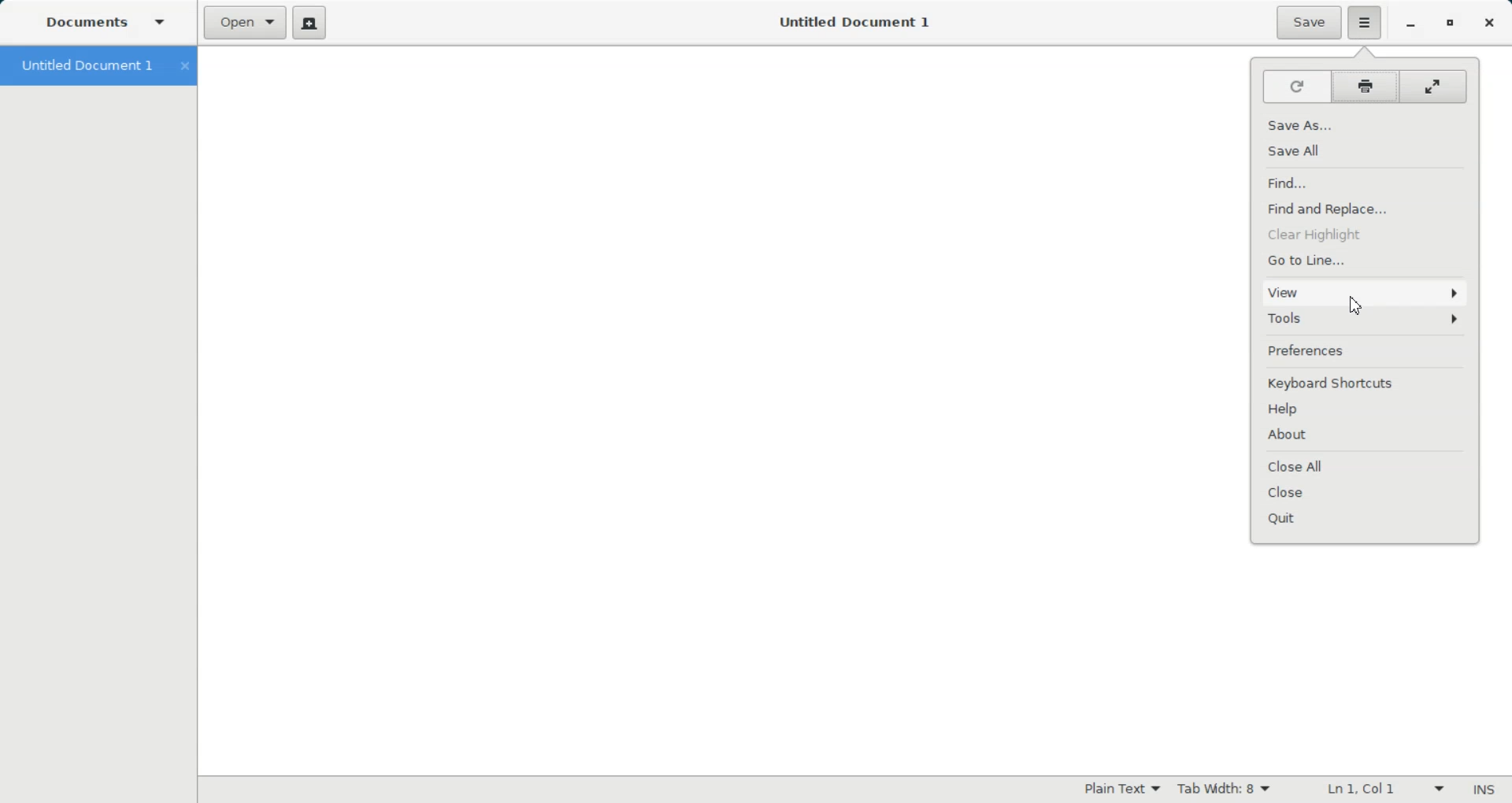 This screenshot has width=1512, height=803. What do you see at coordinates (1366, 234) in the screenshot?
I see `Clear Highlight` at bounding box center [1366, 234].